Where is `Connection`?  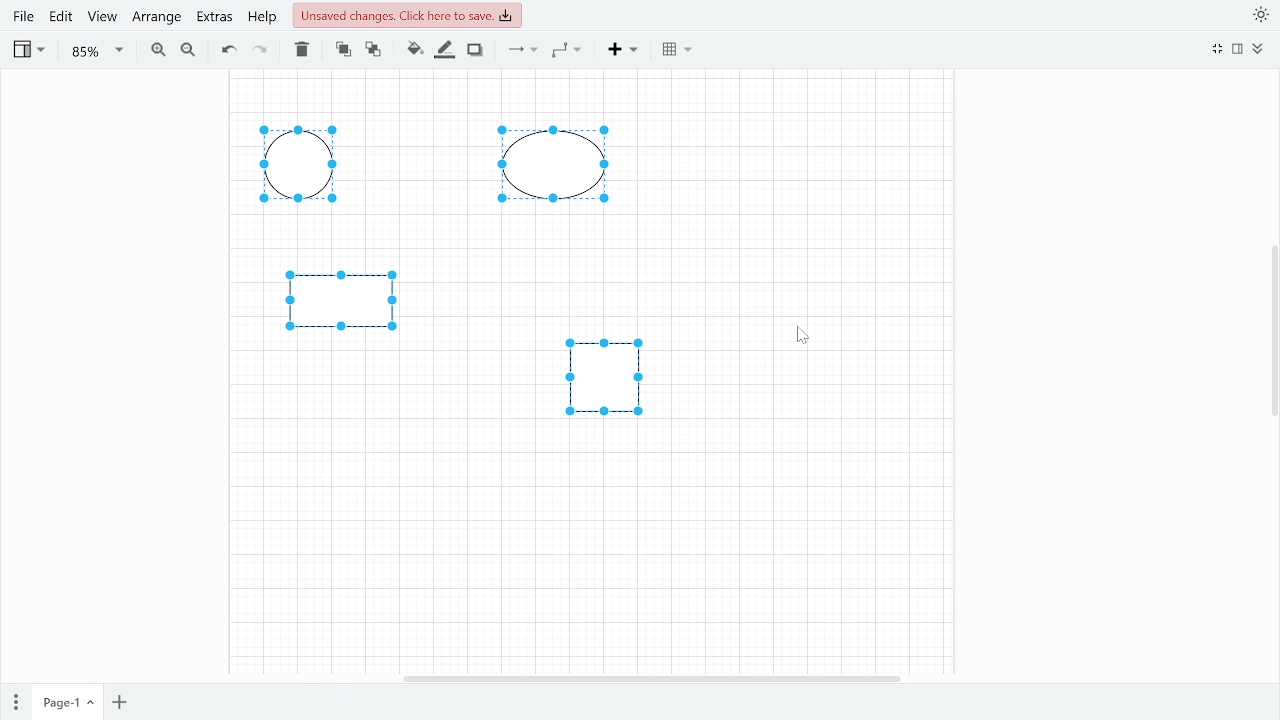
Connection is located at coordinates (522, 49).